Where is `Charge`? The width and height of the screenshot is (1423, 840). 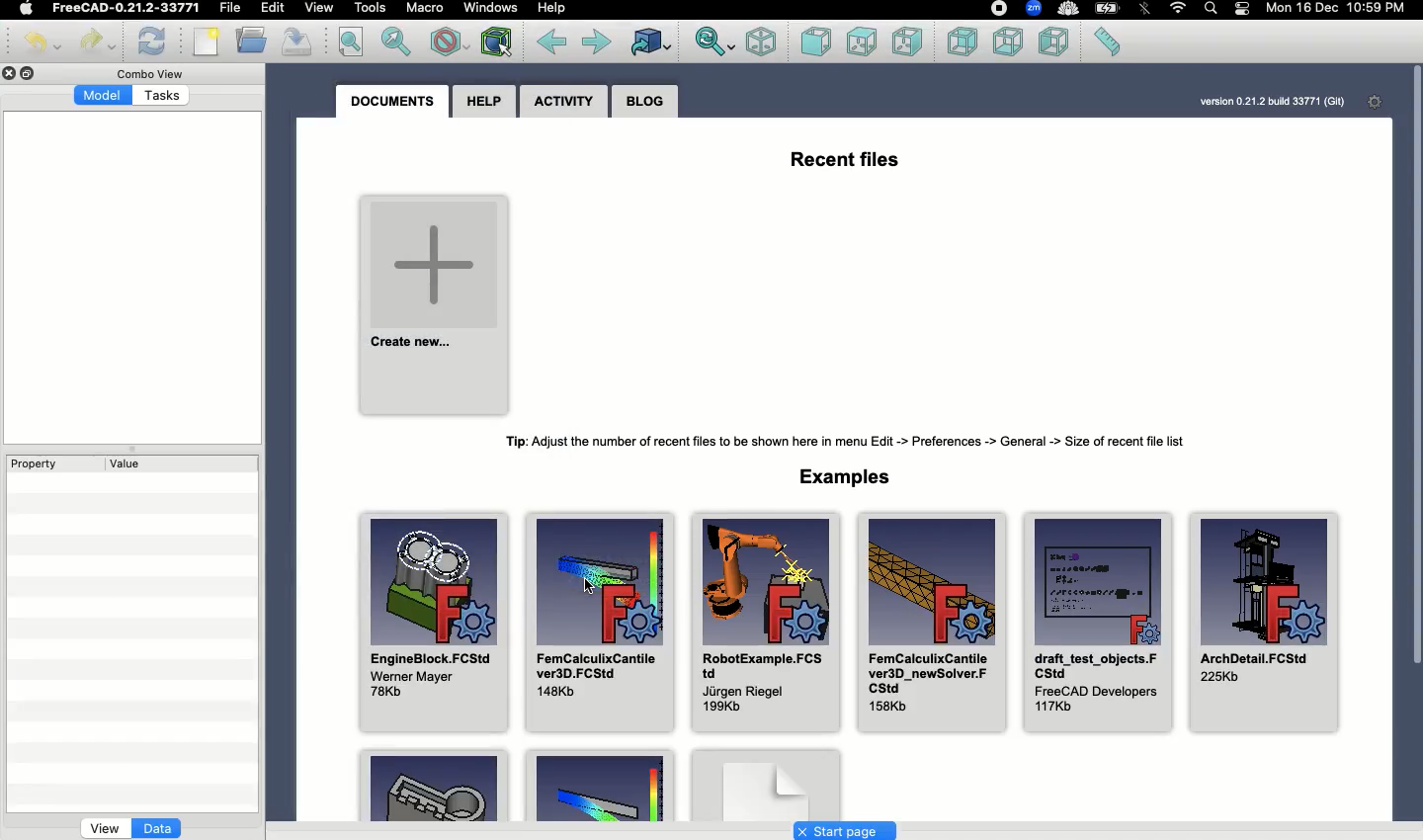 Charge is located at coordinates (1108, 9).